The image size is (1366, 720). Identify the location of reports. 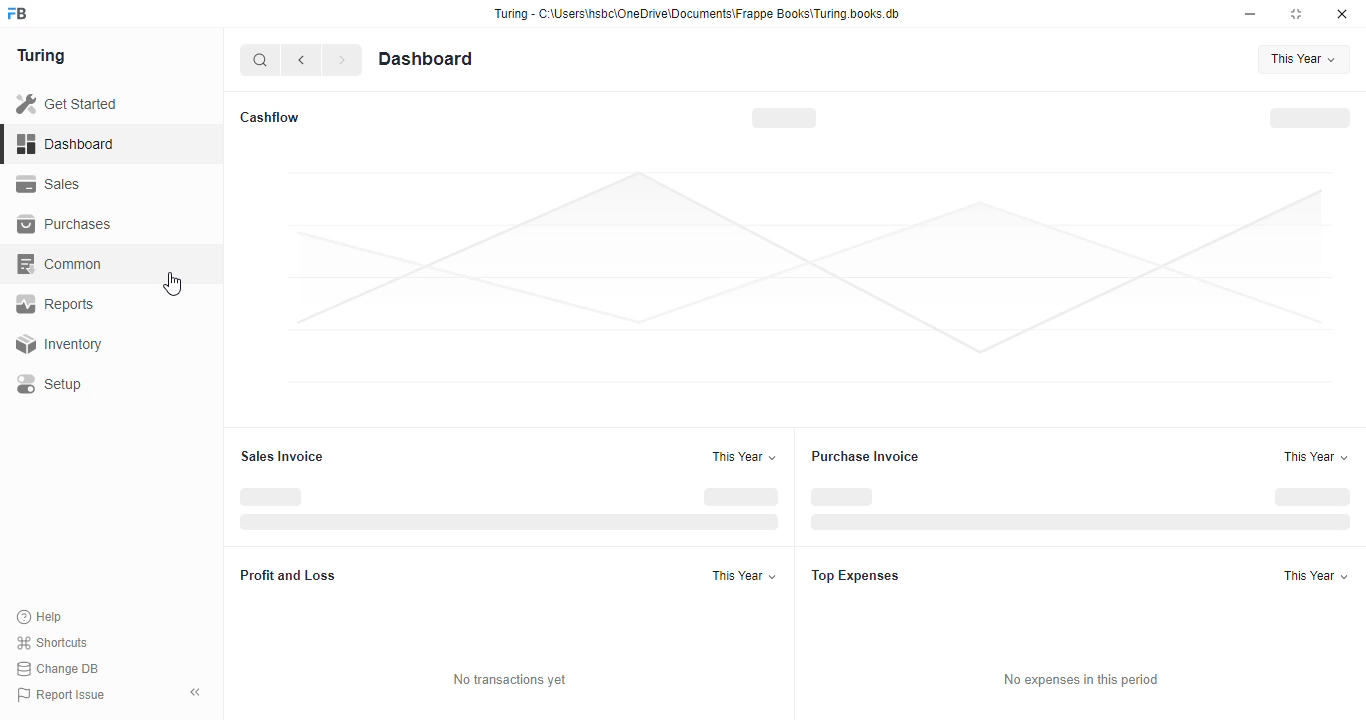
(56, 304).